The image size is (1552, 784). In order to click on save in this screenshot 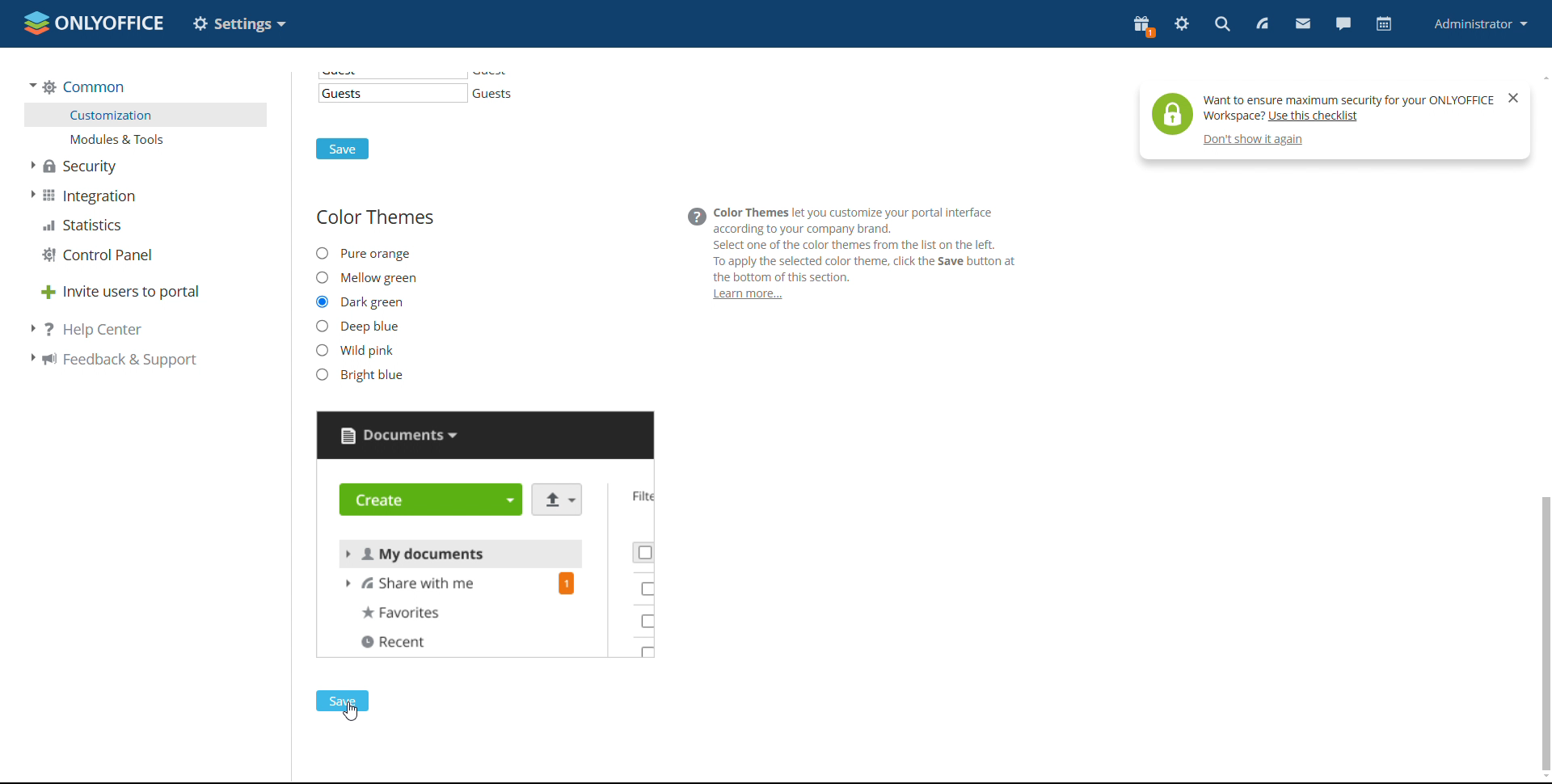, I will do `click(342, 701)`.